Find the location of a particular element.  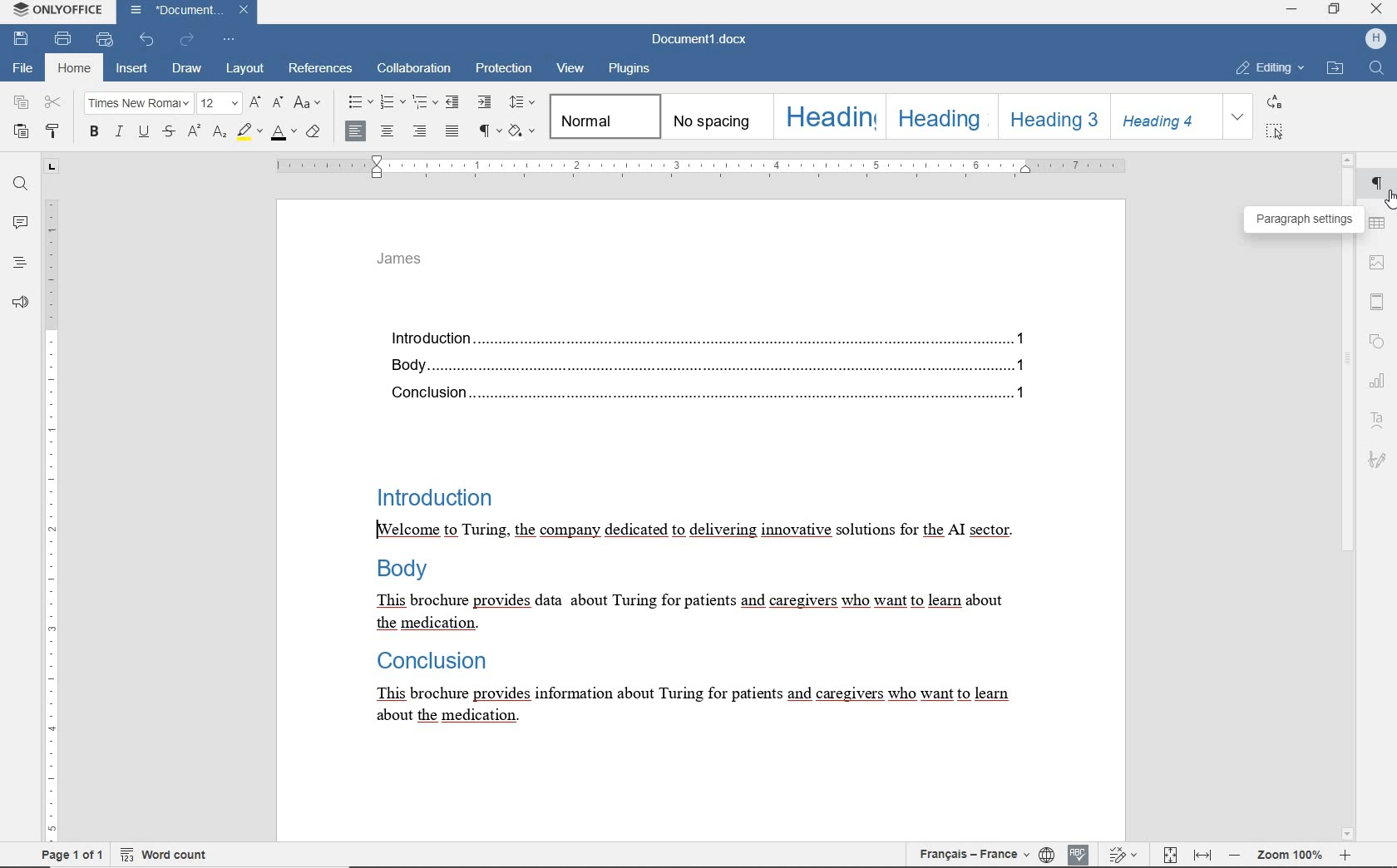

Body is located at coordinates (714, 364).